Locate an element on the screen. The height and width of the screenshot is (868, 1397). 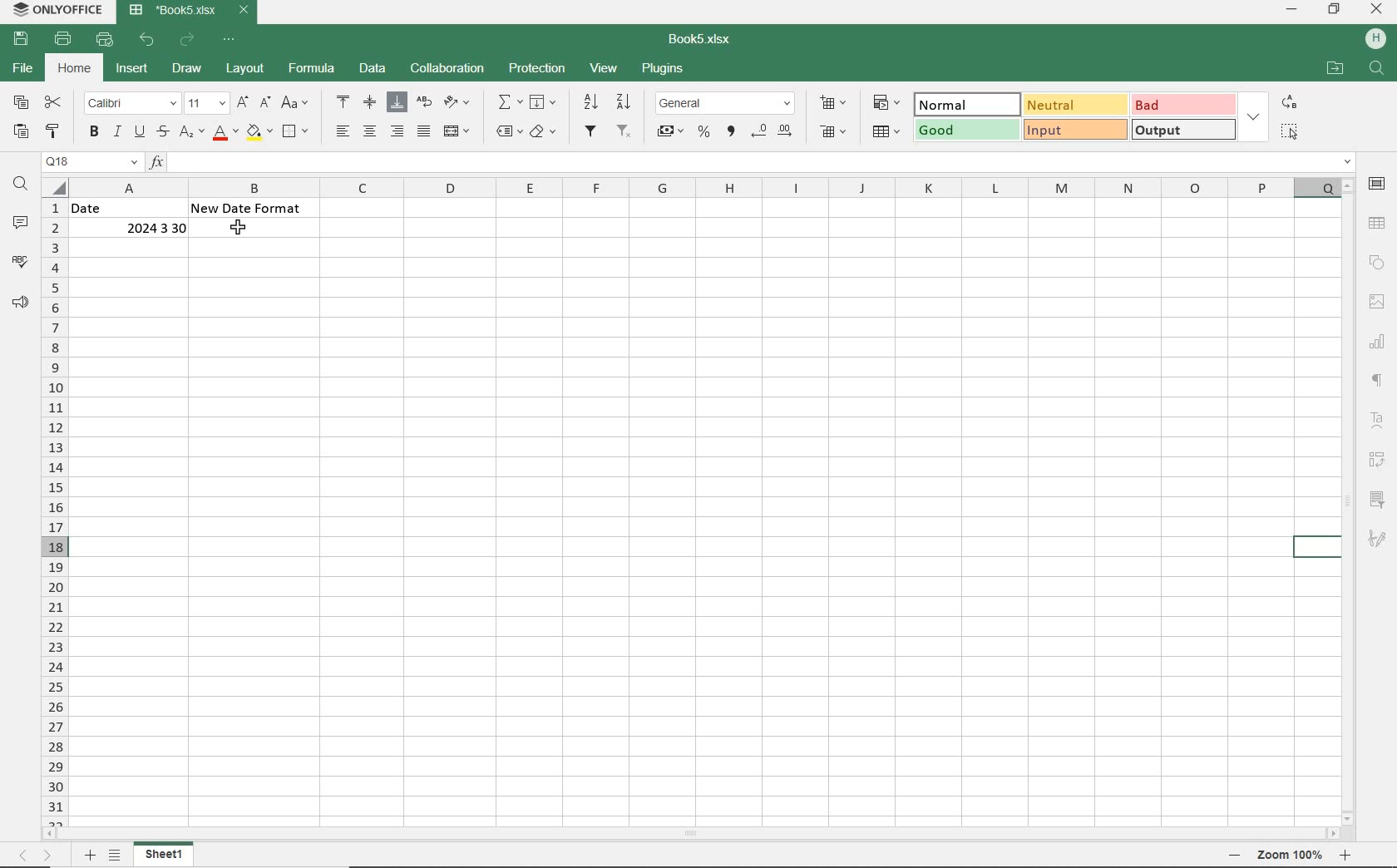
SIGNATURE is located at coordinates (1378, 540).